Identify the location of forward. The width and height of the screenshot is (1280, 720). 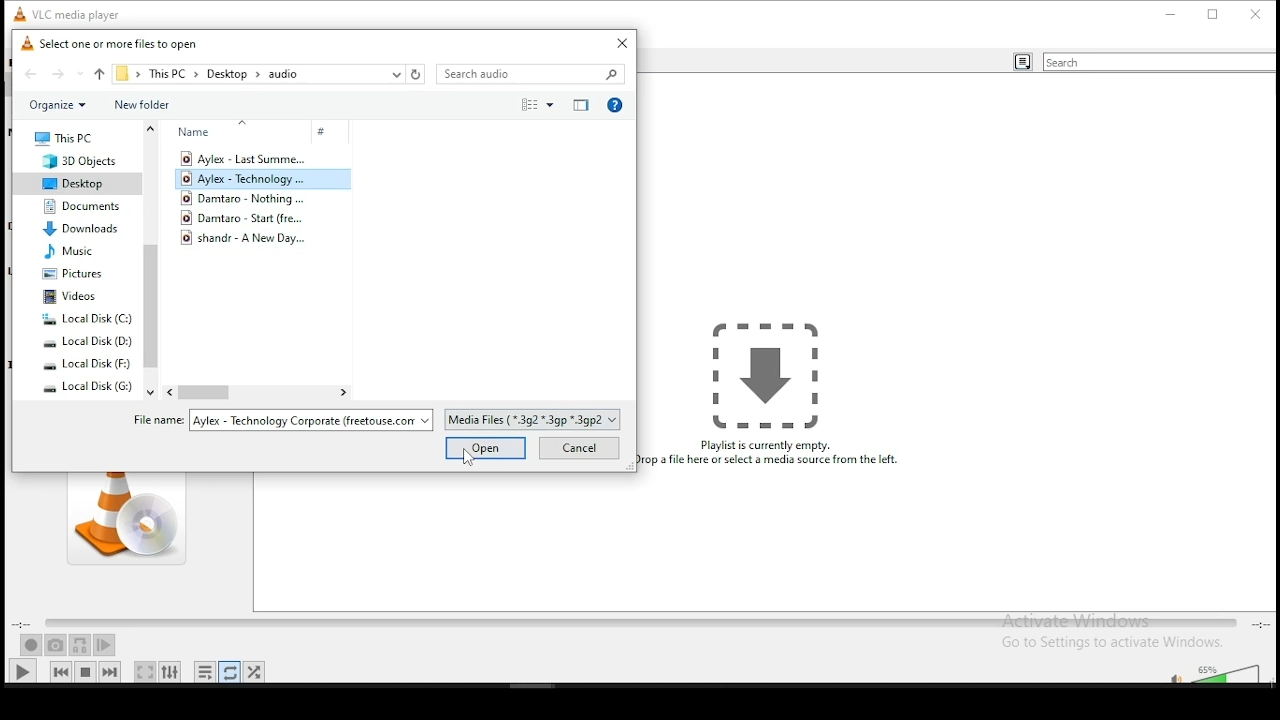
(67, 75).